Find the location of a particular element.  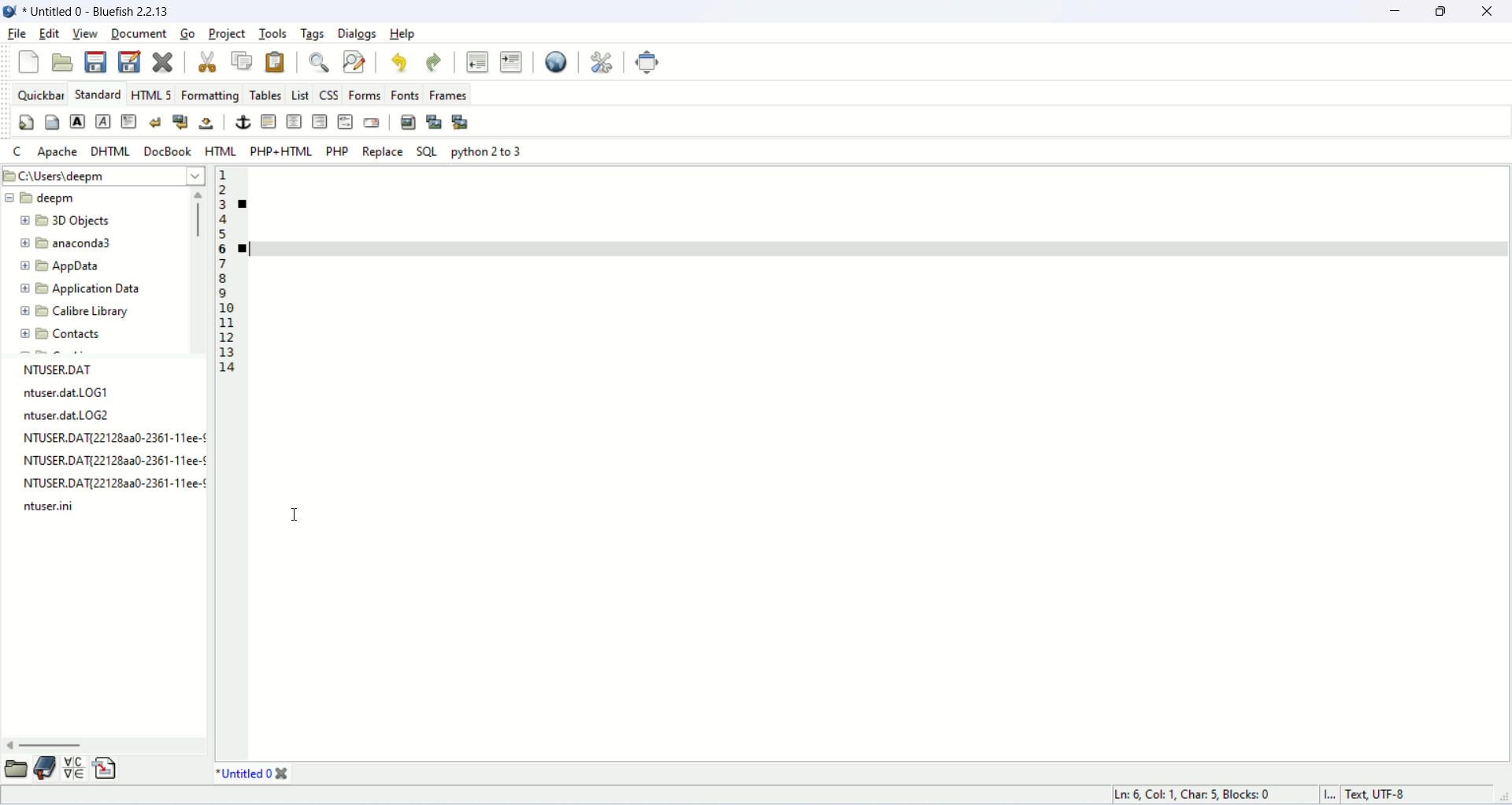

edit is located at coordinates (48, 35).